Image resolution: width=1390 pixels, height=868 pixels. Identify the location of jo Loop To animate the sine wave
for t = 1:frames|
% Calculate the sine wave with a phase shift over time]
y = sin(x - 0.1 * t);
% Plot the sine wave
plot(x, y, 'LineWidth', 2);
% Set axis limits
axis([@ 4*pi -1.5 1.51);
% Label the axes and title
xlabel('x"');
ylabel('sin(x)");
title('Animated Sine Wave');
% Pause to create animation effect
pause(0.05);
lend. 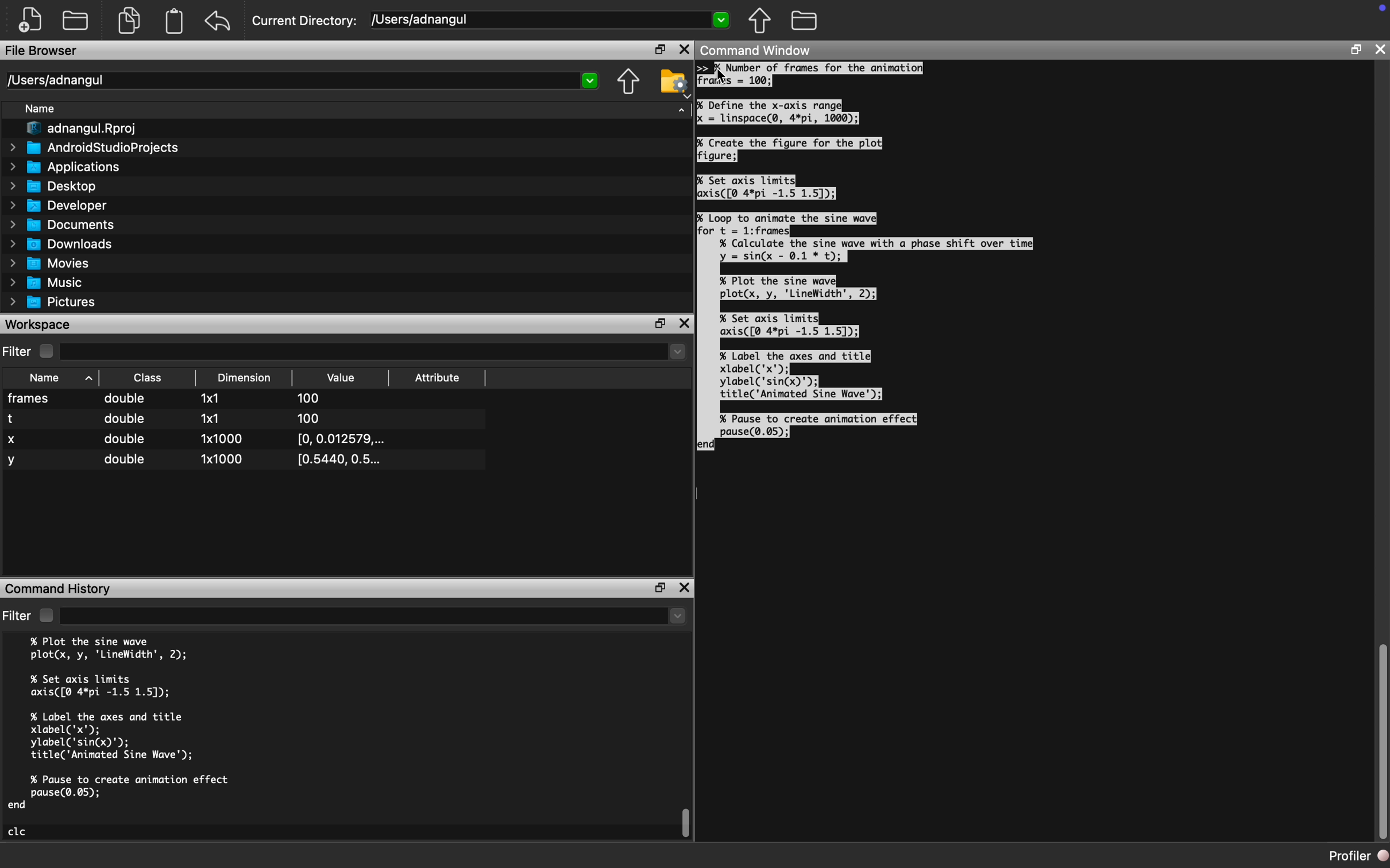
(875, 332).